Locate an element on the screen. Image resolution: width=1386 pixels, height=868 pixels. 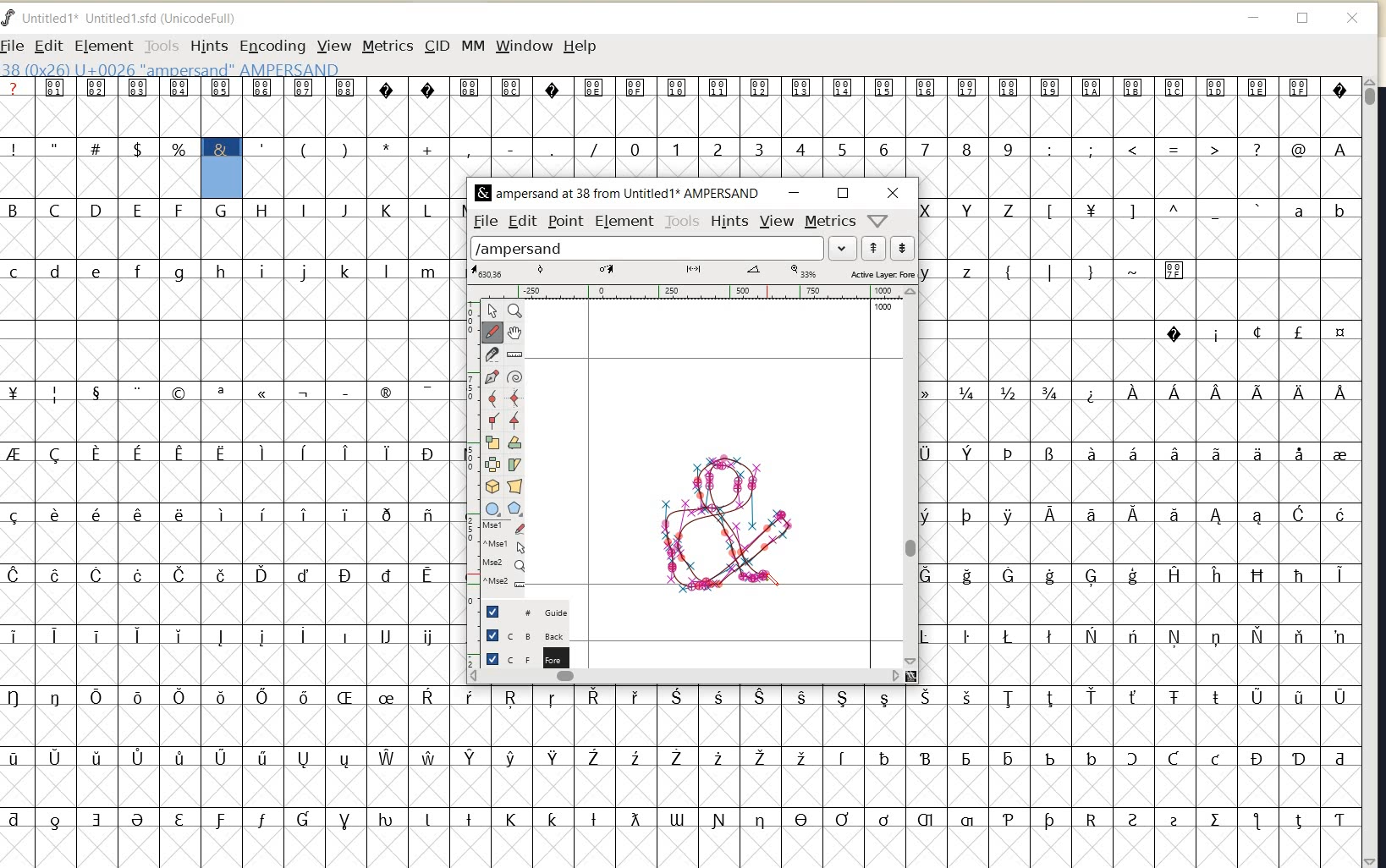
minimize is located at coordinates (1251, 19).